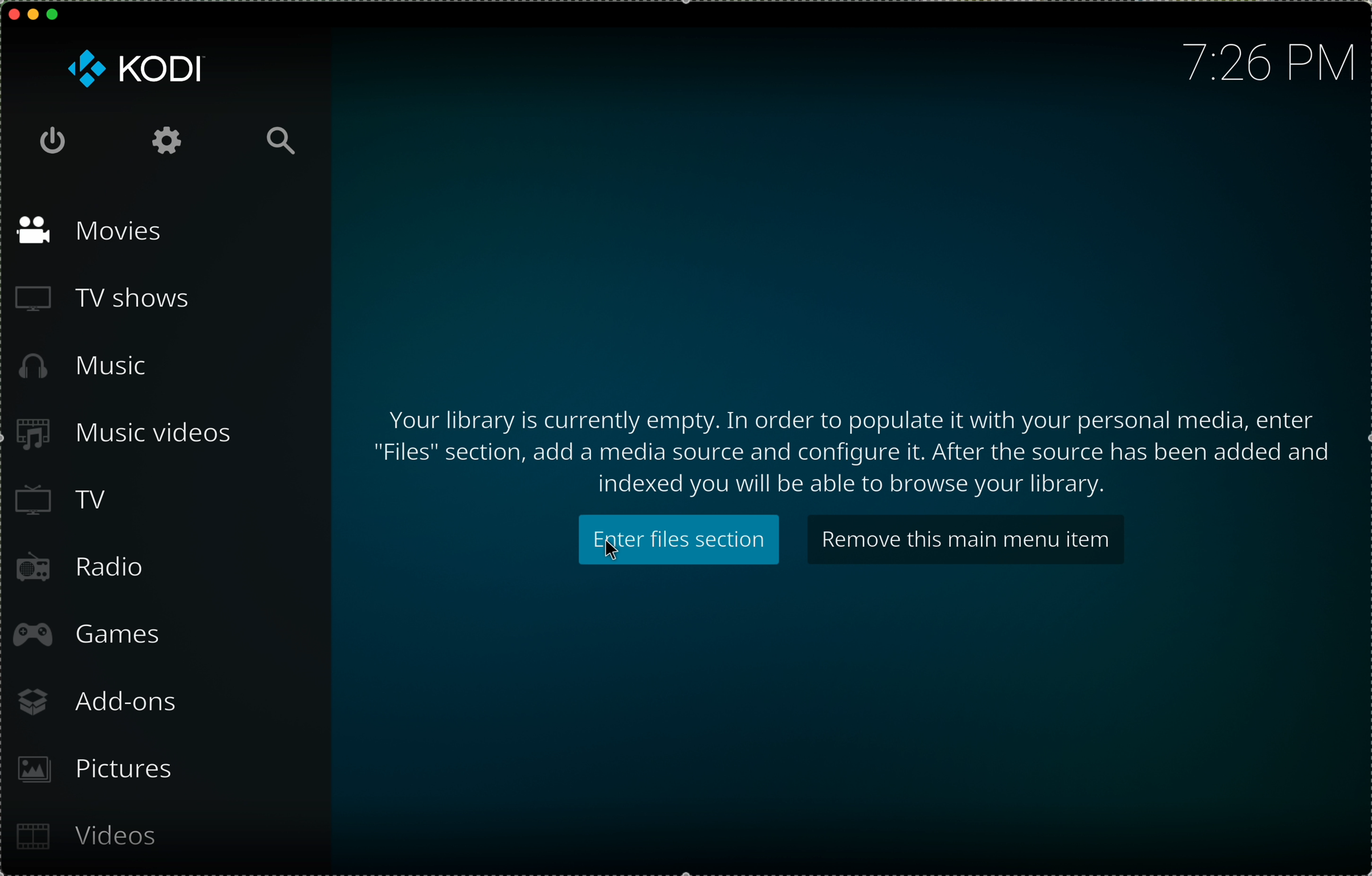 Image resolution: width=1372 pixels, height=876 pixels. Describe the element at coordinates (14, 12) in the screenshot. I see `close` at that location.